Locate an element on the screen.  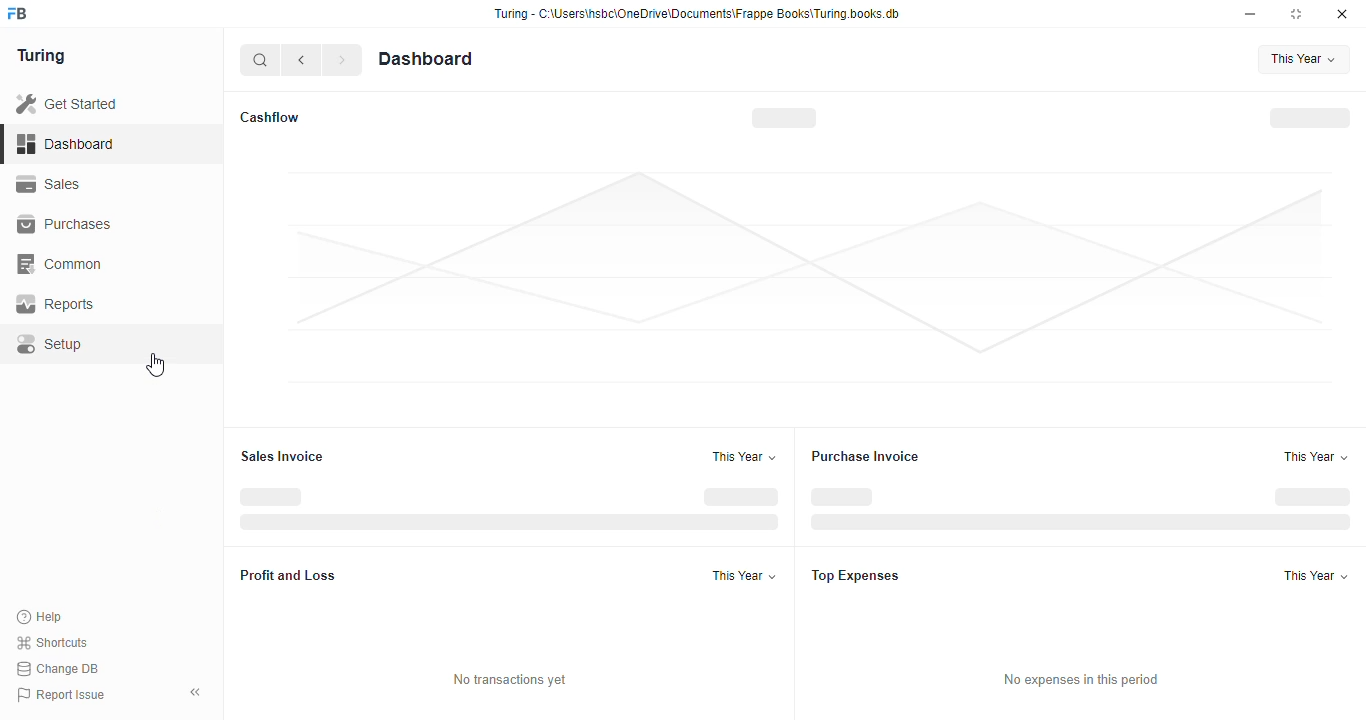
report issue is located at coordinates (60, 694).